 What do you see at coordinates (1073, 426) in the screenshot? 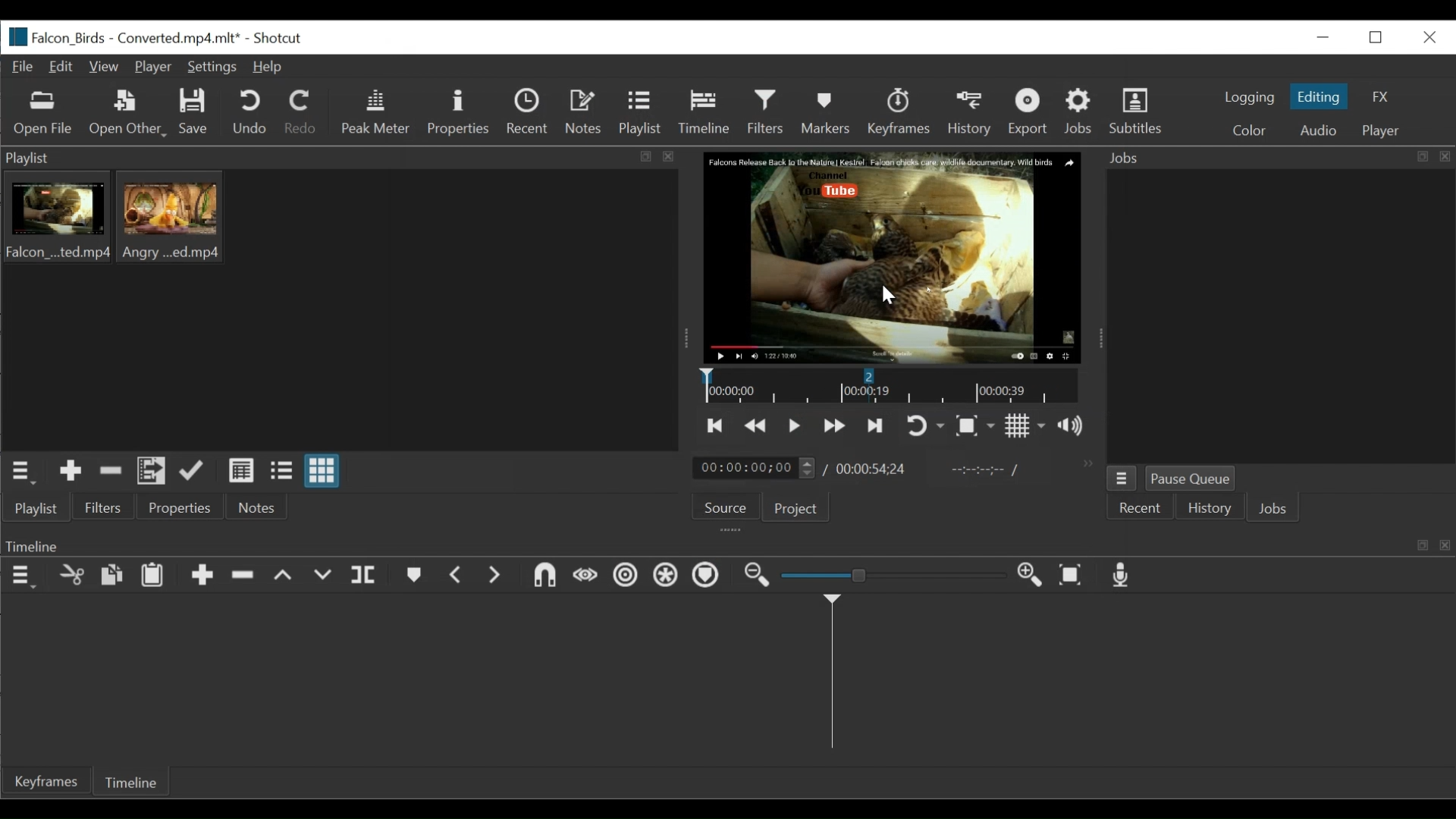
I see `Show volume control` at bounding box center [1073, 426].